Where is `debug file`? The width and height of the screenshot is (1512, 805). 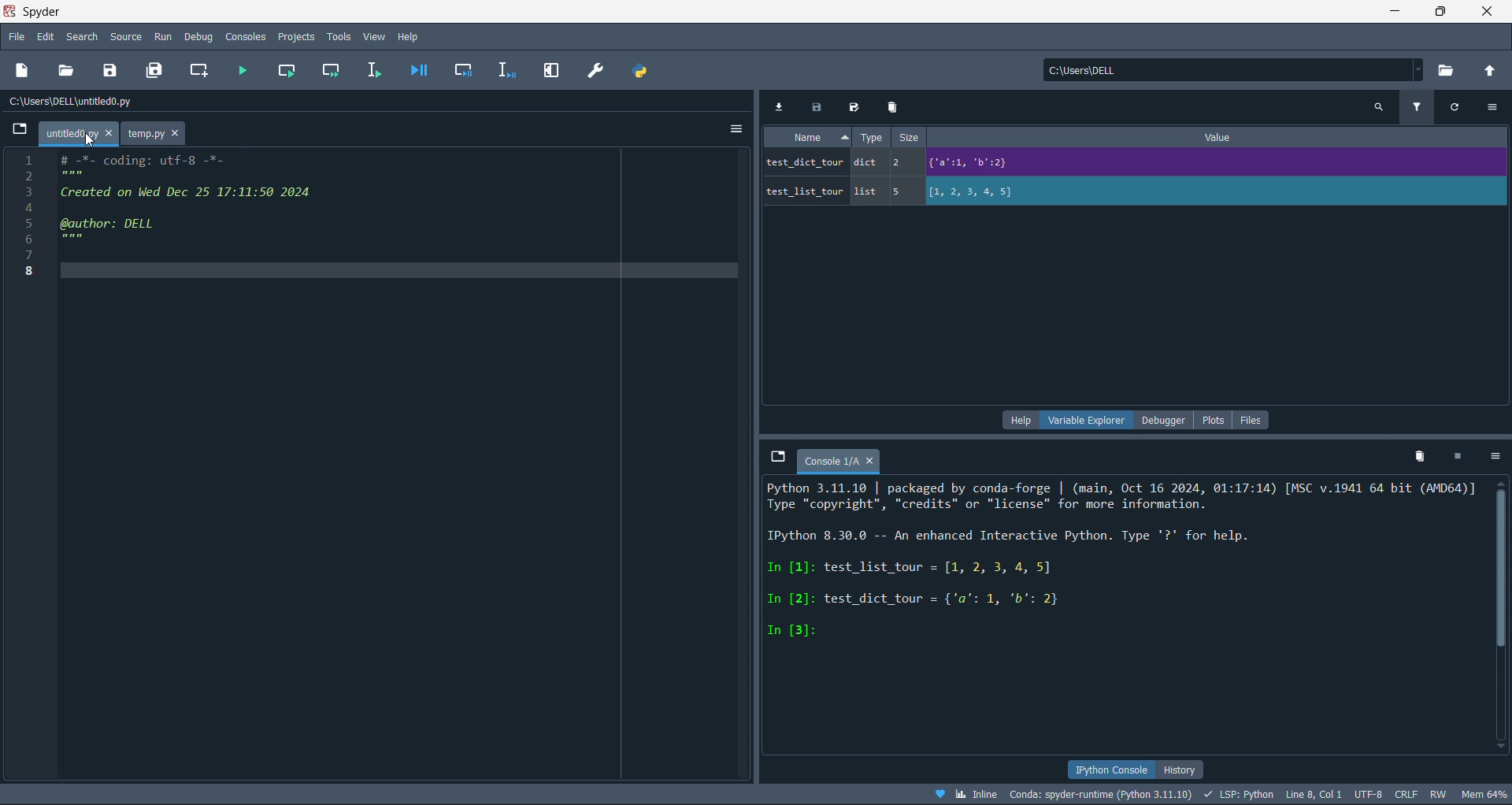
debug file is located at coordinates (418, 69).